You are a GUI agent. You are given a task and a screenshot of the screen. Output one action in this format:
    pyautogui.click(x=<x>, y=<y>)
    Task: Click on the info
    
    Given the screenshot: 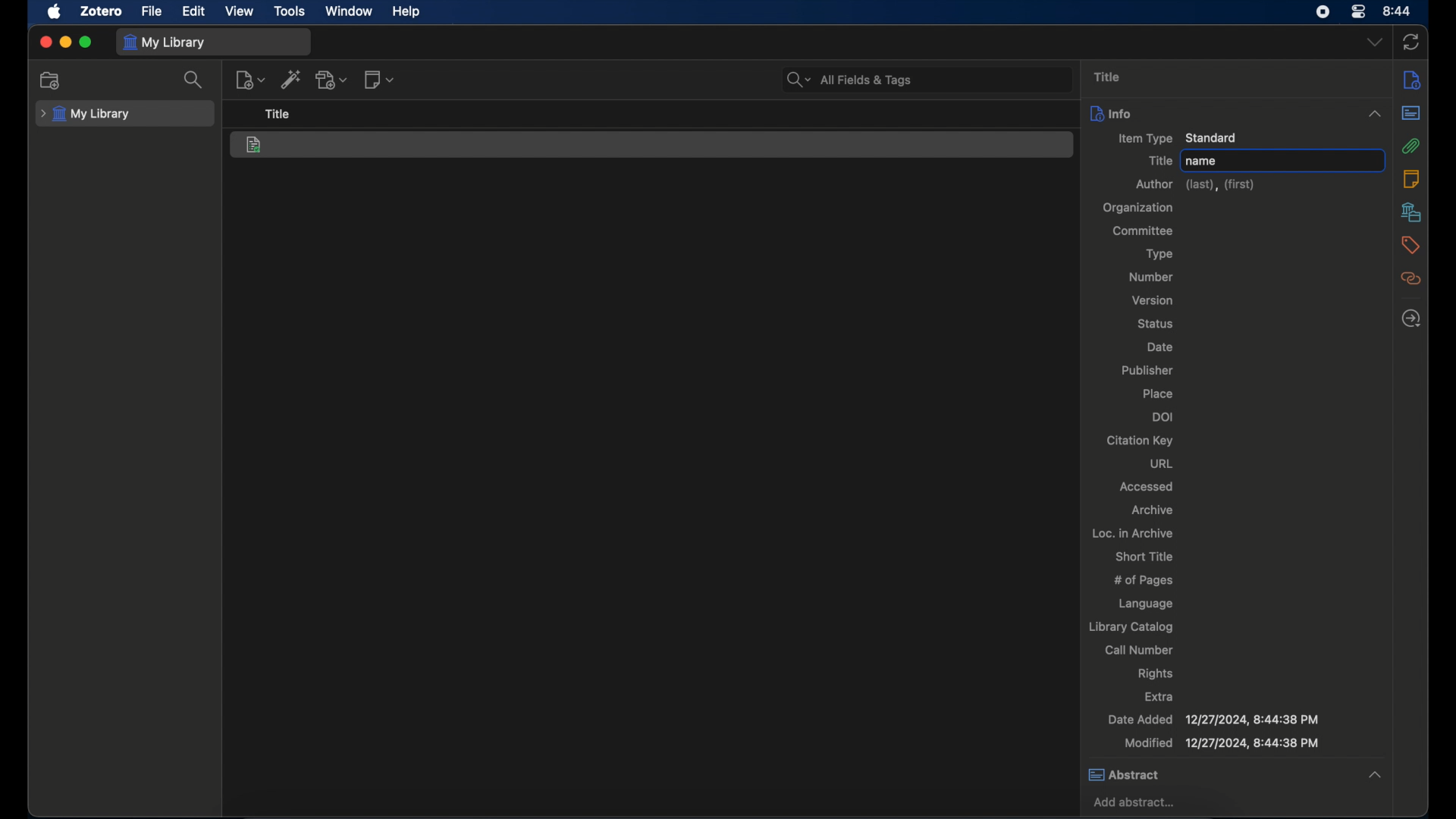 What is the action you would take?
    pyautogui.click(x=1412, y=81)
    